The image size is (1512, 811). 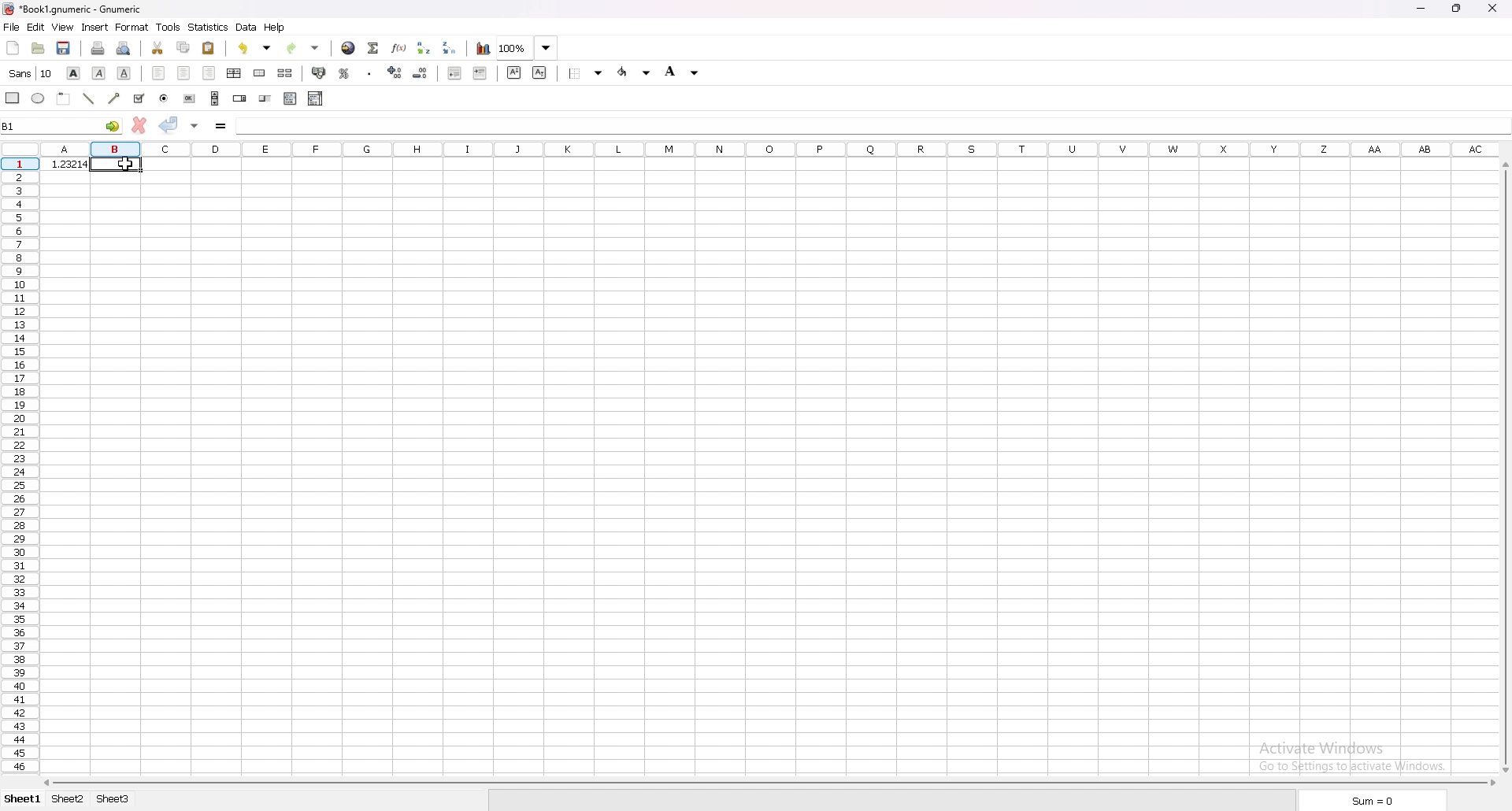 I want to click on list, so click(x=290, y=98).